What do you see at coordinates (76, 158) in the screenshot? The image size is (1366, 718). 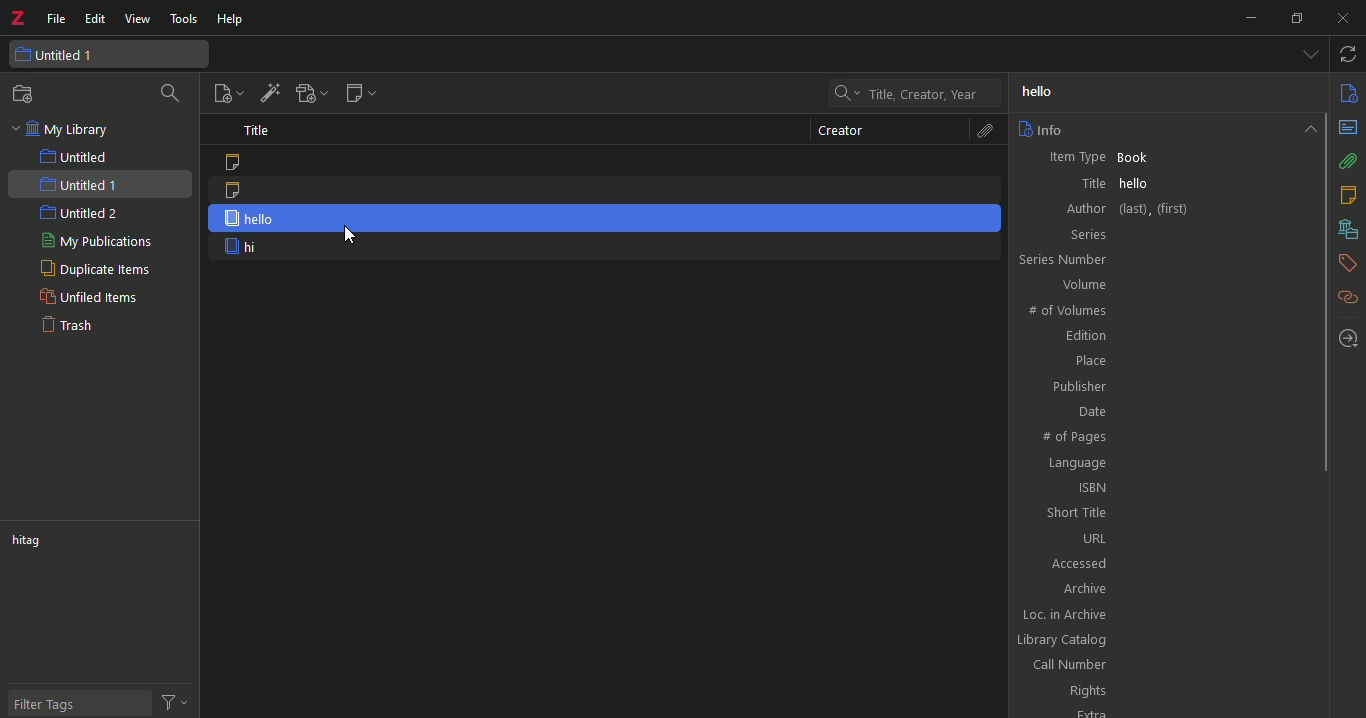 I see `untitled` at bounding box center [76, 158].